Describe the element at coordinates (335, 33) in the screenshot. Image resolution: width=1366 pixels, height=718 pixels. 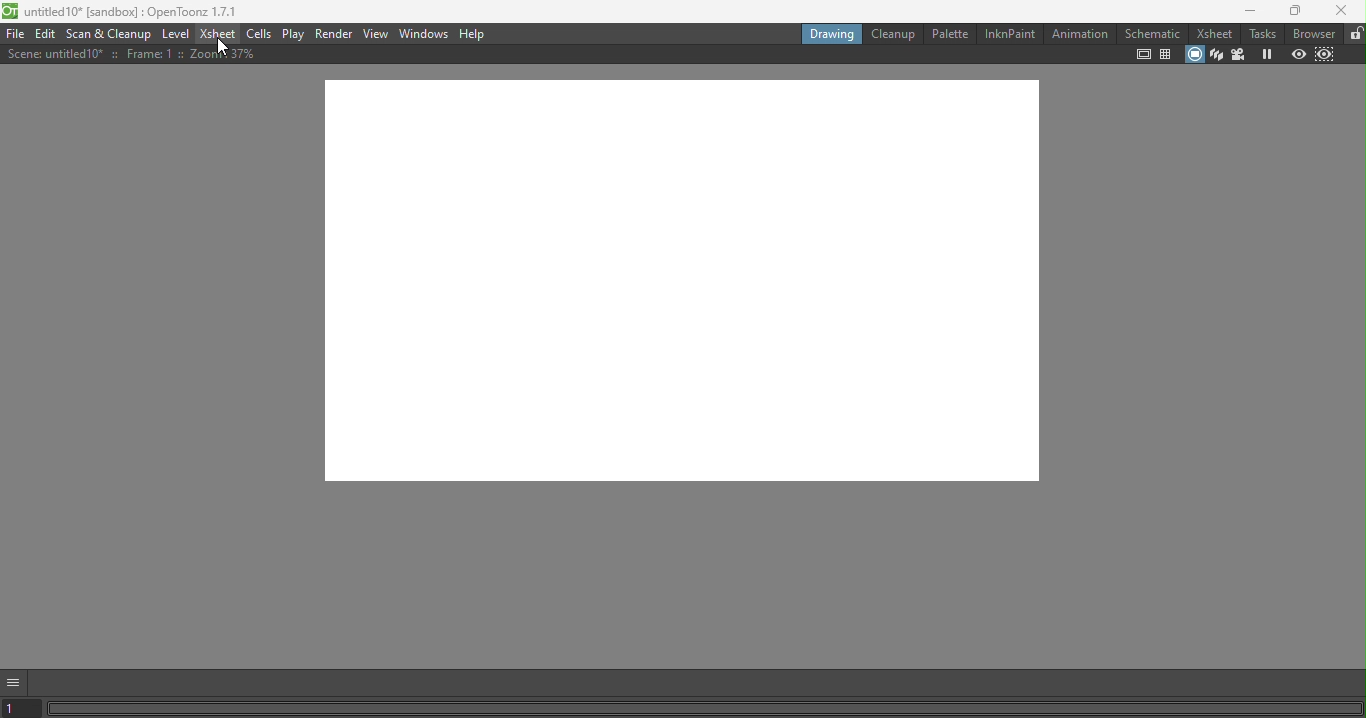
I see `Render` at that location.